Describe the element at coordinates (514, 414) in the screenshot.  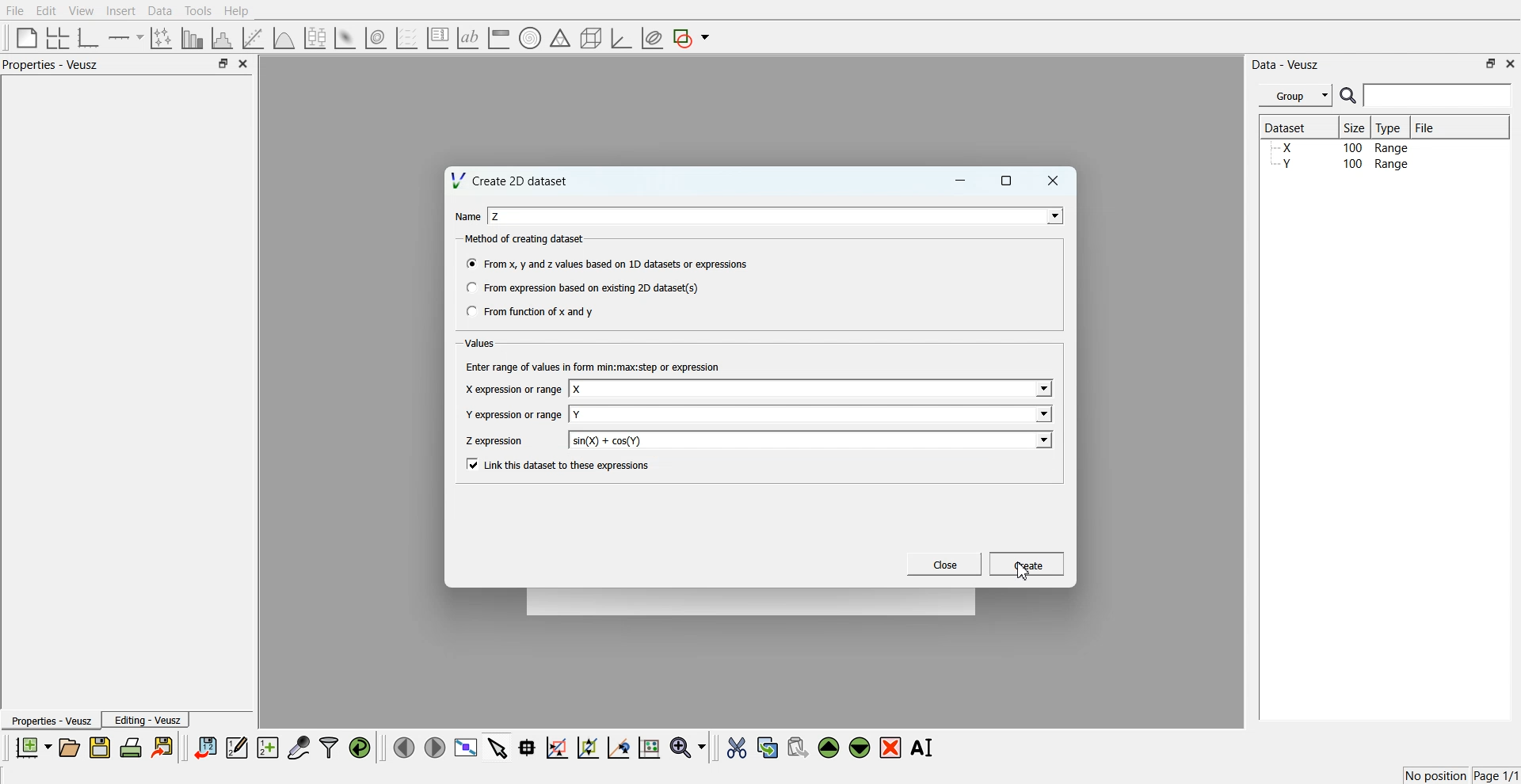
I see `= NY expression or range` at that location.